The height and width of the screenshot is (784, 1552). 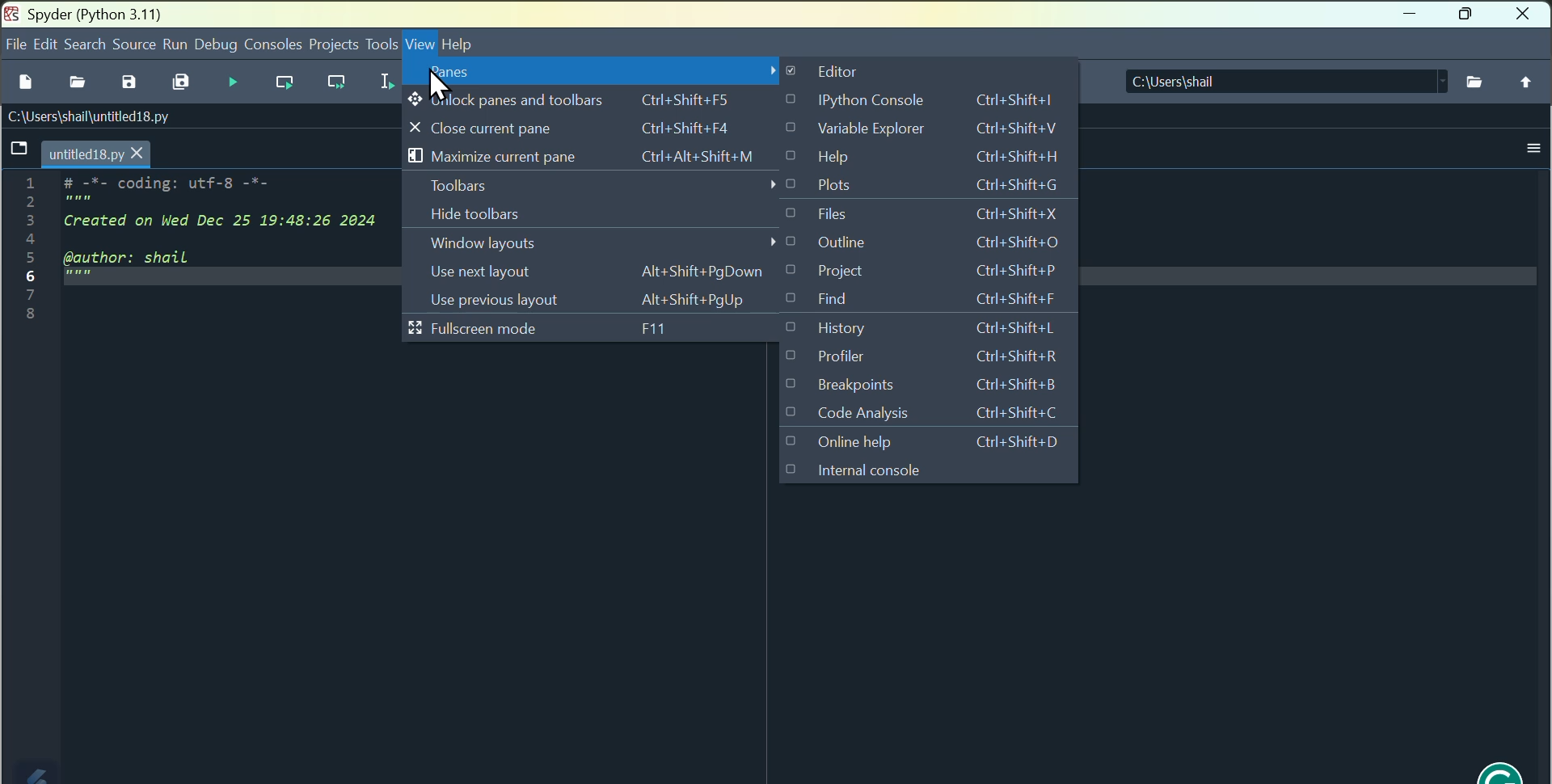 What do you see at coordinates (939, 328) in the screenshot?
I see `History` at bounding box center [939, 328].